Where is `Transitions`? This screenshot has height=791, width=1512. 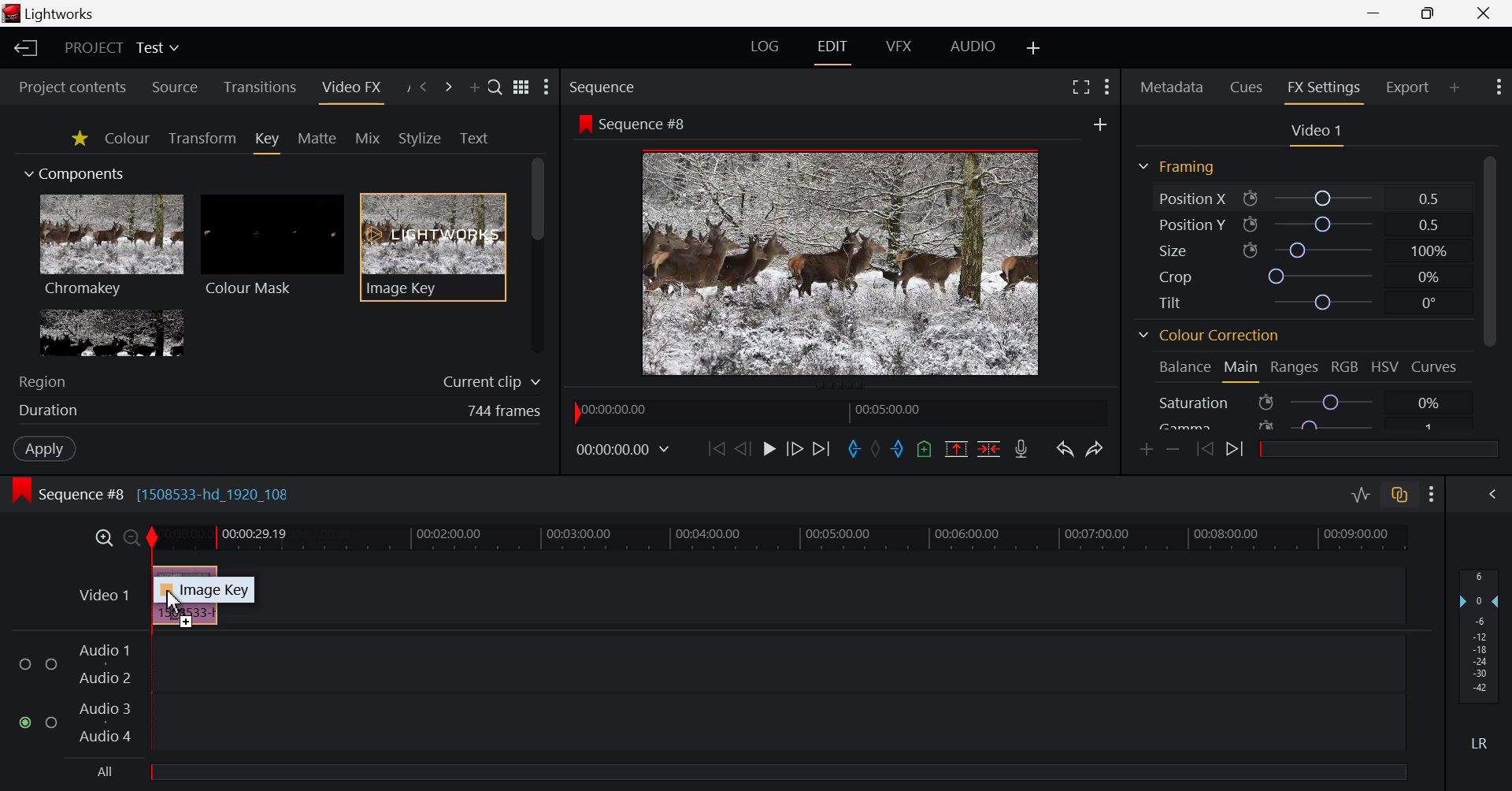 Transitions is located at coordinates (263, 85).